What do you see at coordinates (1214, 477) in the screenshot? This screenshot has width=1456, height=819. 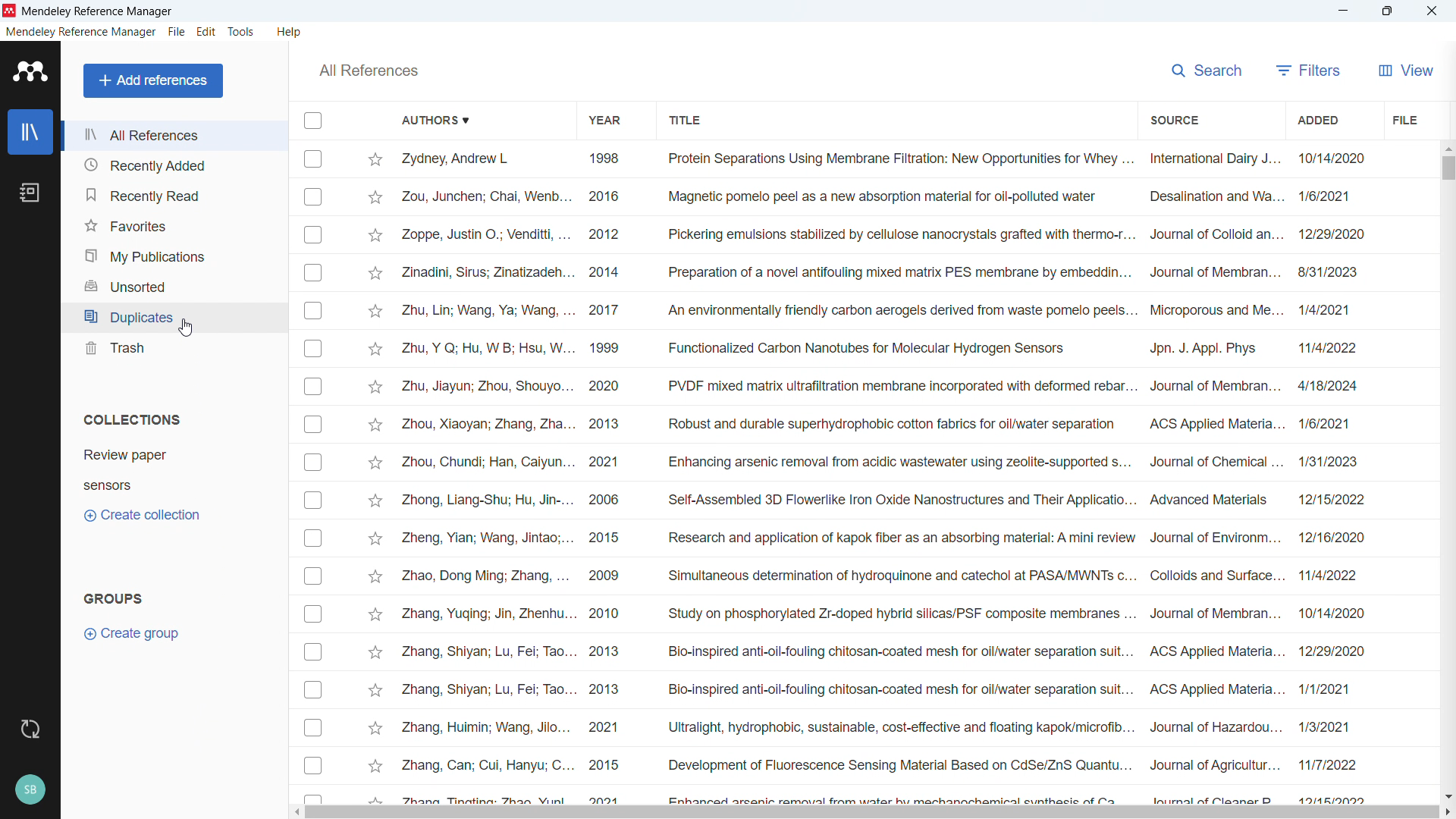 I see `Source of individual entries ` at bounding box center [1214, 477].